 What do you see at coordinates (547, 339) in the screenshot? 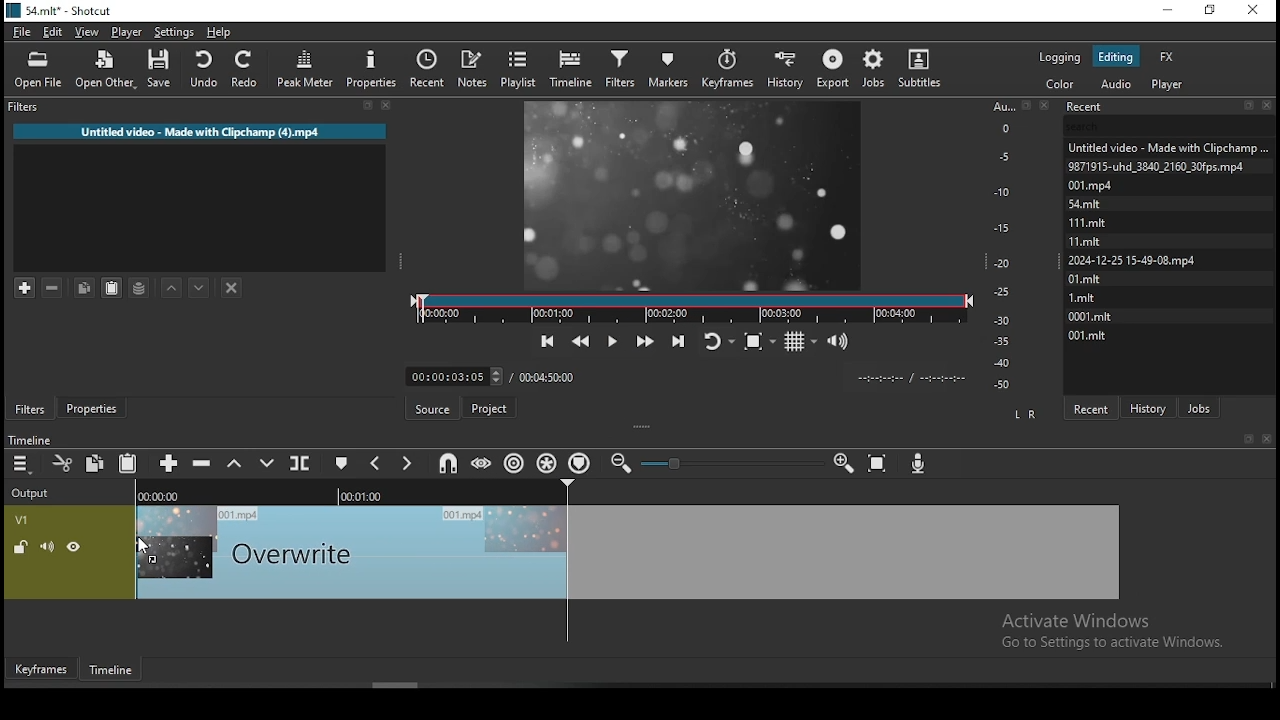
I see `skip to the previous point` at bounding box center [547, 339].